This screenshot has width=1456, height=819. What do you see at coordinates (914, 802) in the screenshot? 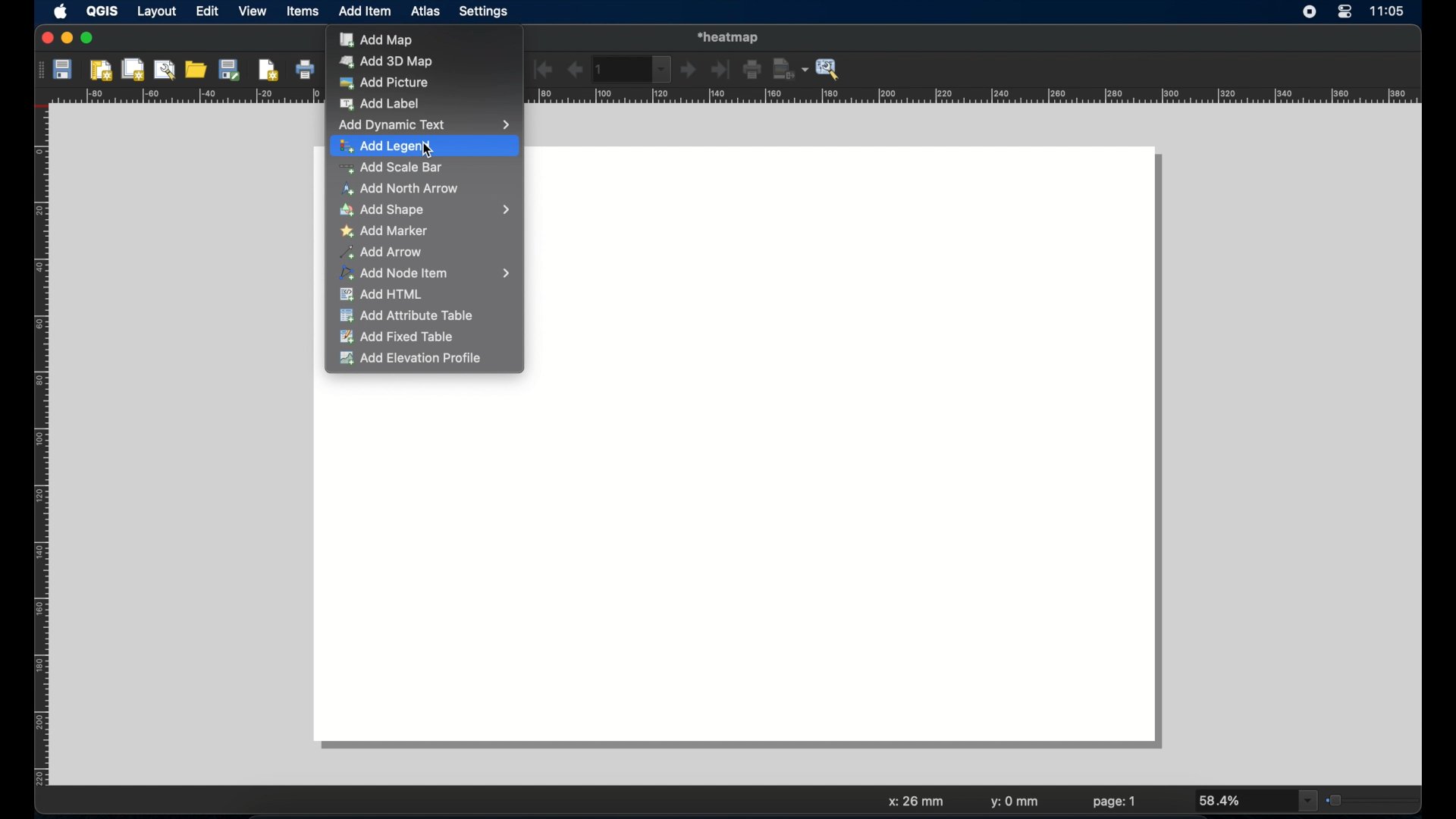
I see `x: 26mm` at bounding box center [914, 802].